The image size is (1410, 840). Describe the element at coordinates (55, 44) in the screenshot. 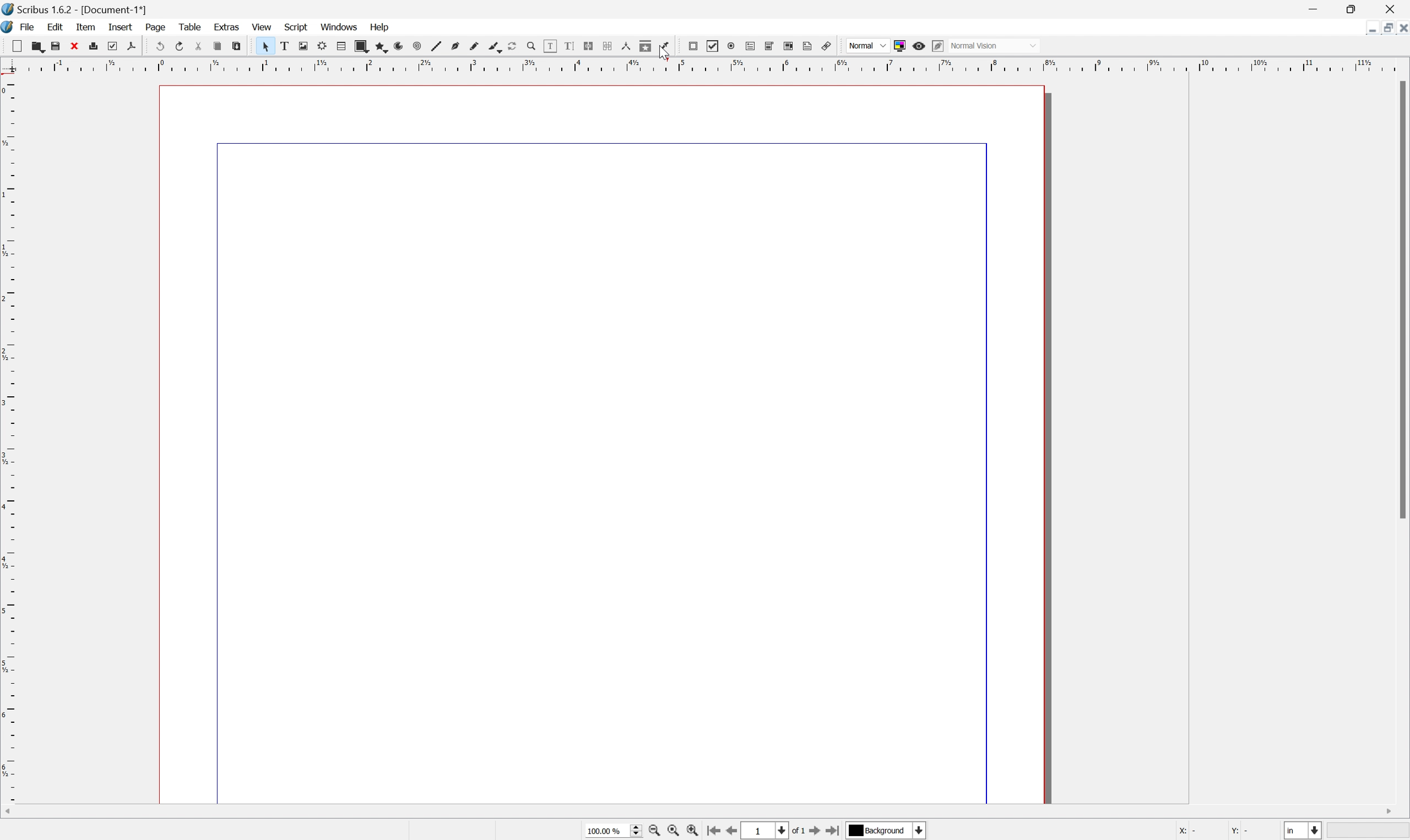

I see `save` at that location.